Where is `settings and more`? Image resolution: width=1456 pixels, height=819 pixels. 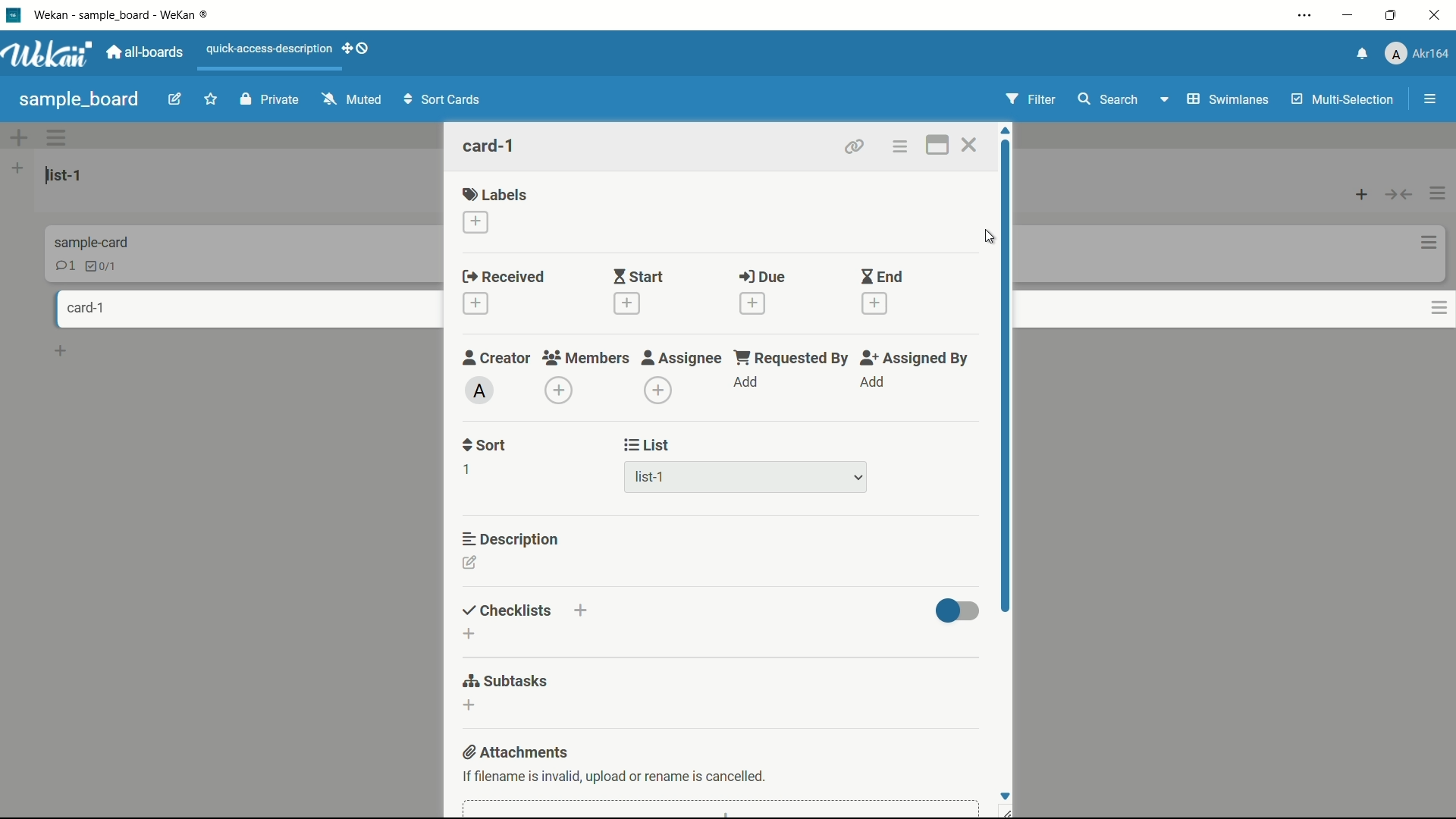 settings and more is located at coordinates (1302, 16).